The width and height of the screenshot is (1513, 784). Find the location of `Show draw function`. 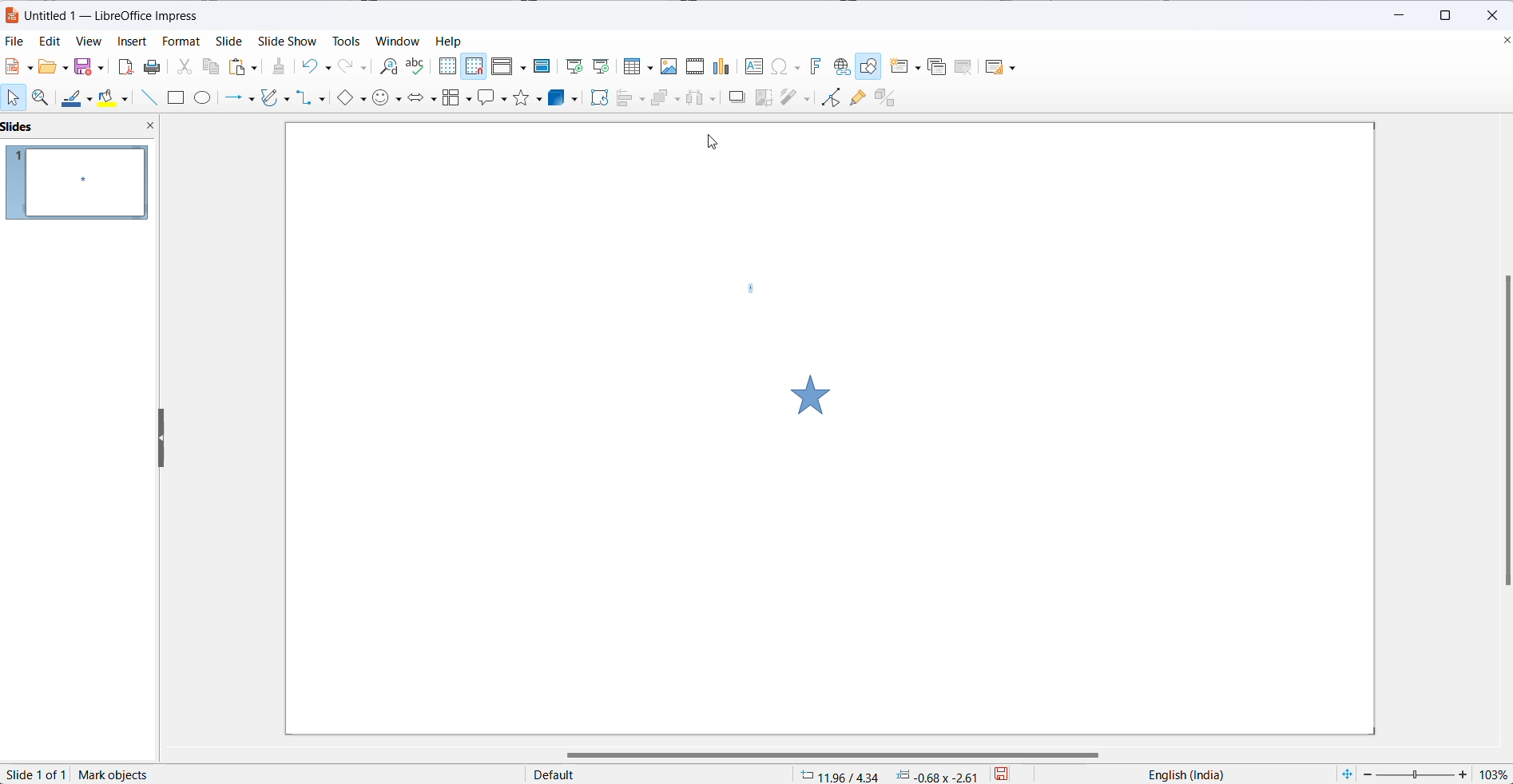

Show draw function is located at coordinates (870, 66).